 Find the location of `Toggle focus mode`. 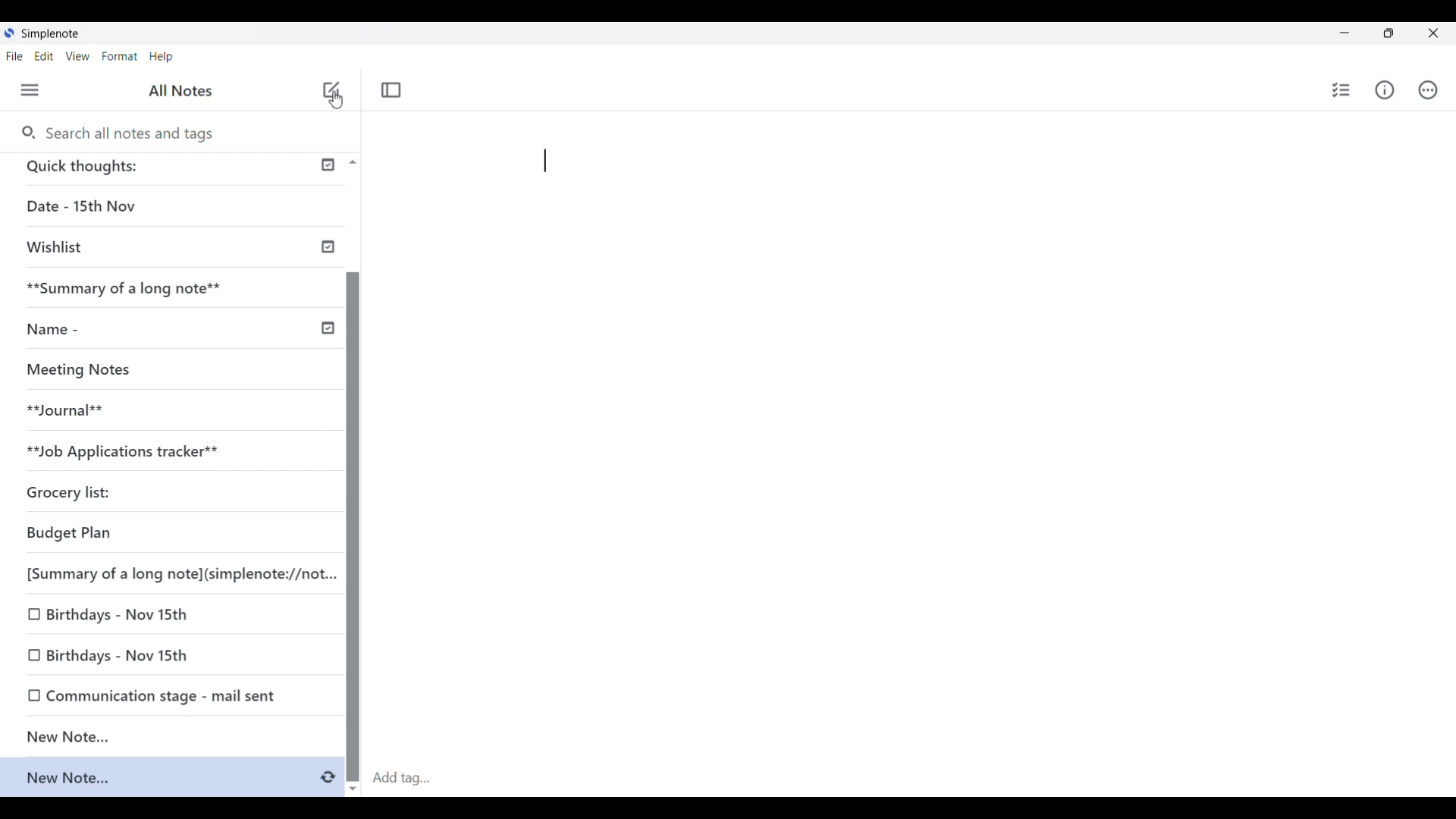

Toggle focus mode is located at coordinates (391, 89).